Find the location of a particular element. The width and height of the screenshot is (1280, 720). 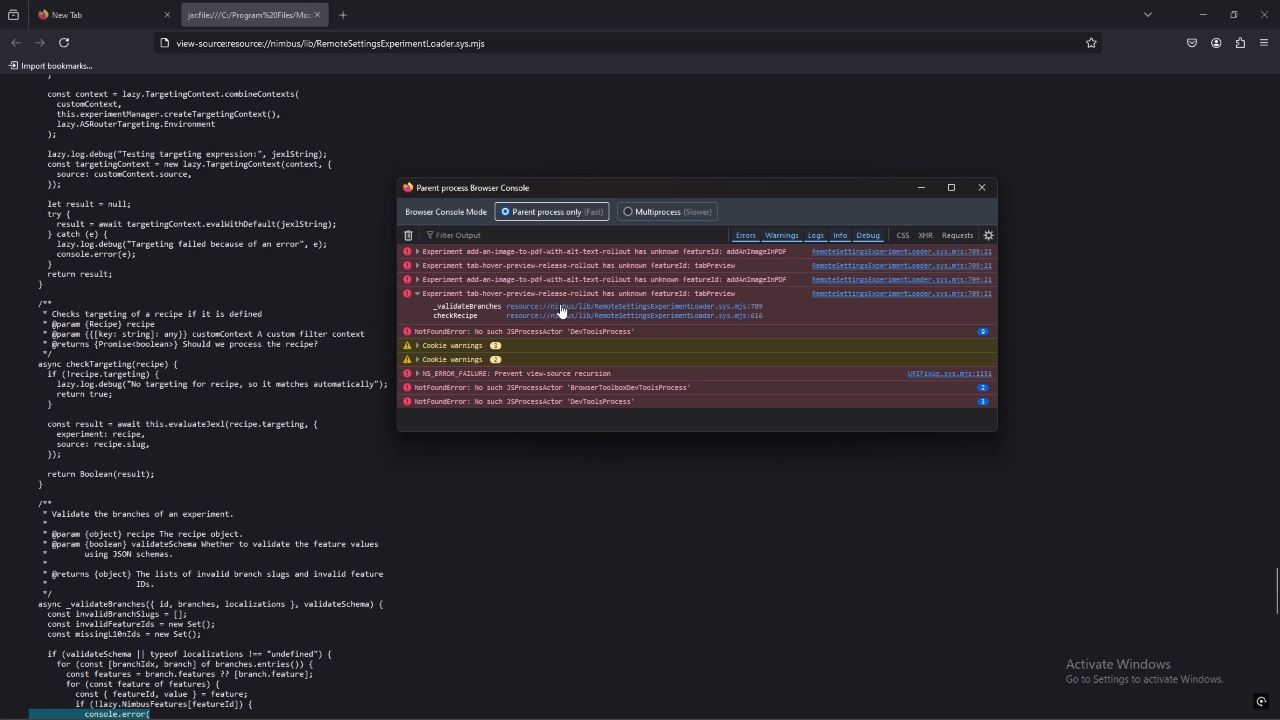

errors is located at coordinates (746, 235).